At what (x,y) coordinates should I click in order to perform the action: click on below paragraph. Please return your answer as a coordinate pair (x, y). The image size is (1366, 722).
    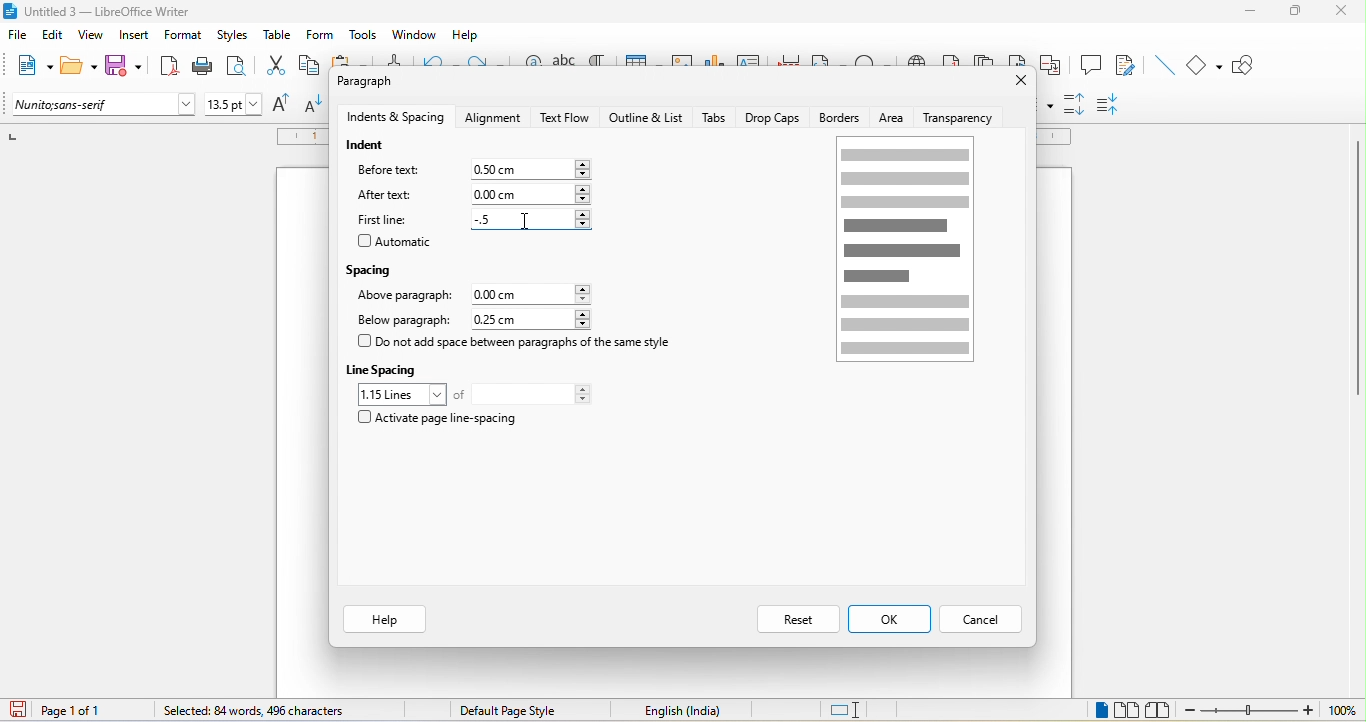
    Looking at the image, I should click on (405, 322).